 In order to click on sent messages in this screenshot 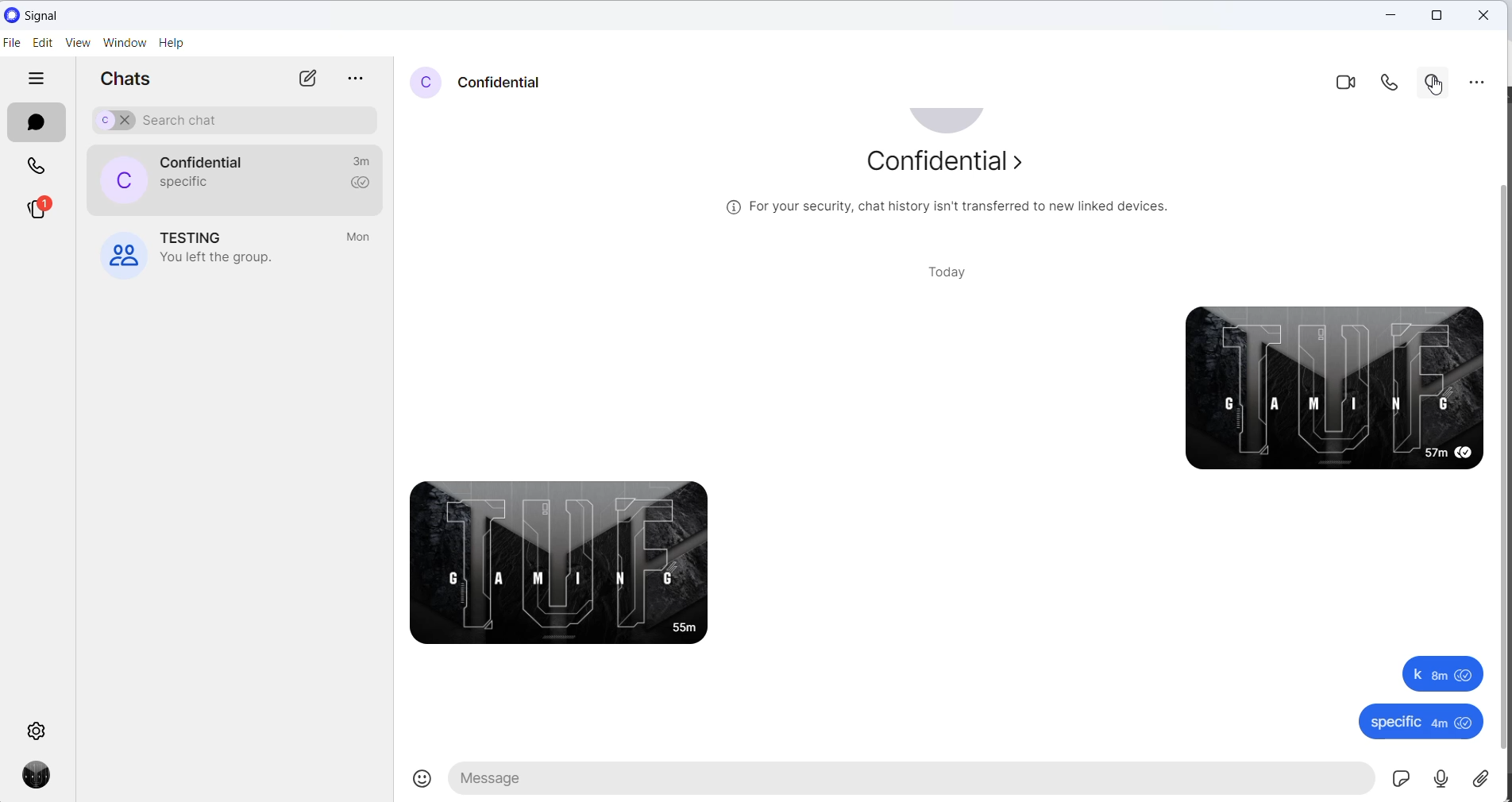, I will do `click(1322, 388)`.